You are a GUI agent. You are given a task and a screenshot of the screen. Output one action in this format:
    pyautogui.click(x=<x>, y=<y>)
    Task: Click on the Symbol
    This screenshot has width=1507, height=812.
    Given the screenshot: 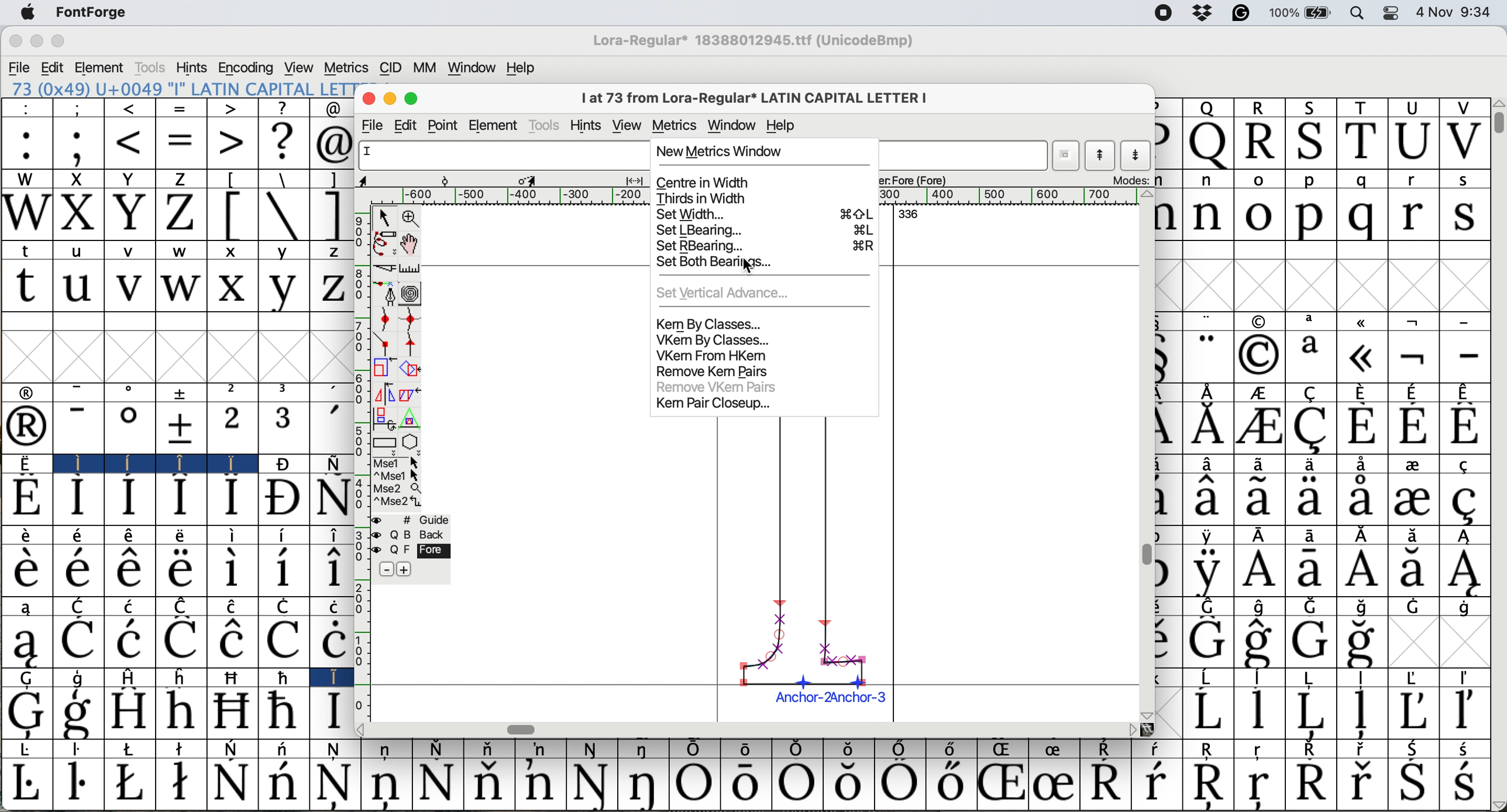 What is the action you would take?
    pyautogui.click(x=1264, y=677)
    